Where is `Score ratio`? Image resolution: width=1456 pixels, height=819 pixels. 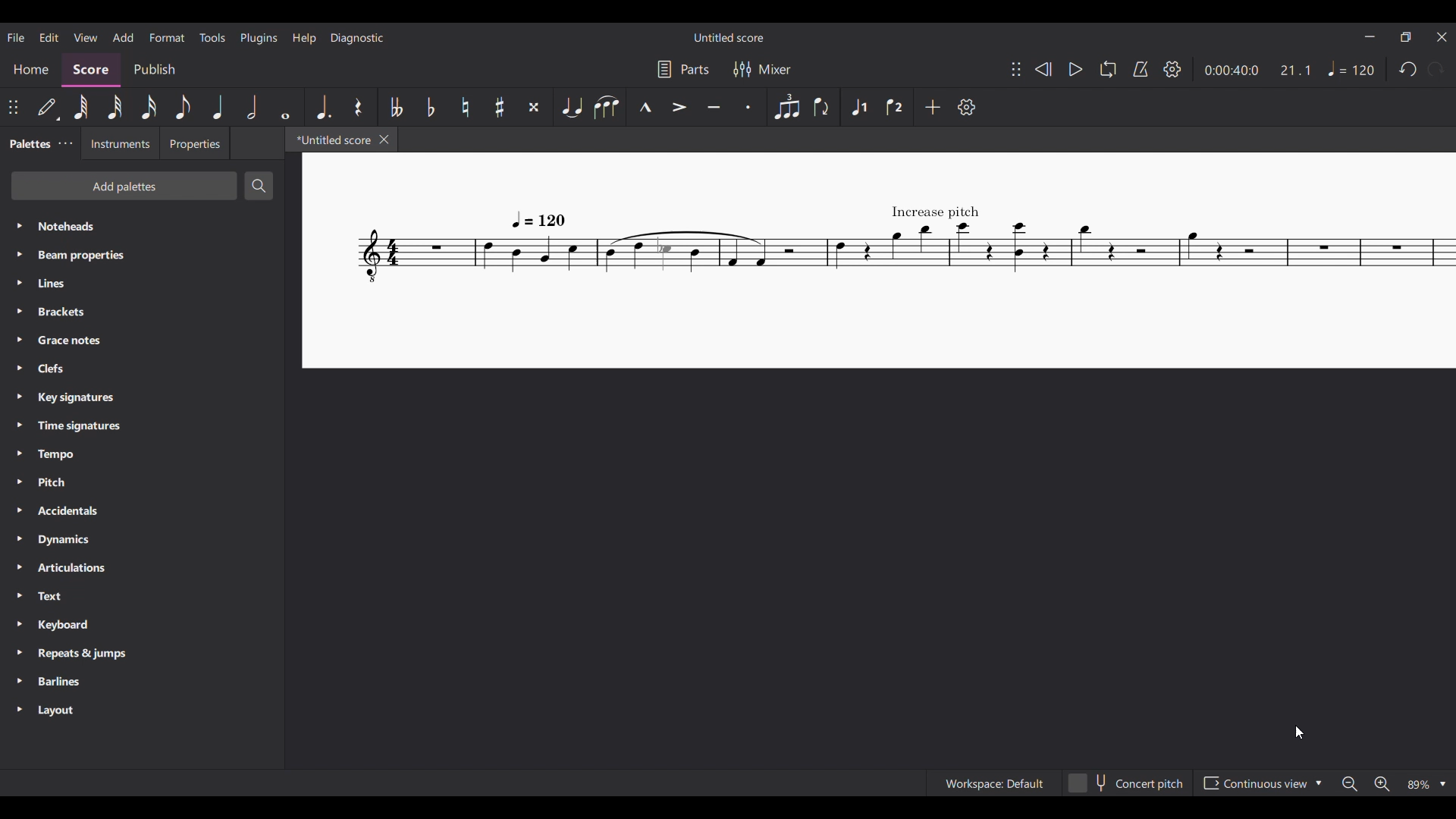 Score ratio is located at coordinates (1296, 71).